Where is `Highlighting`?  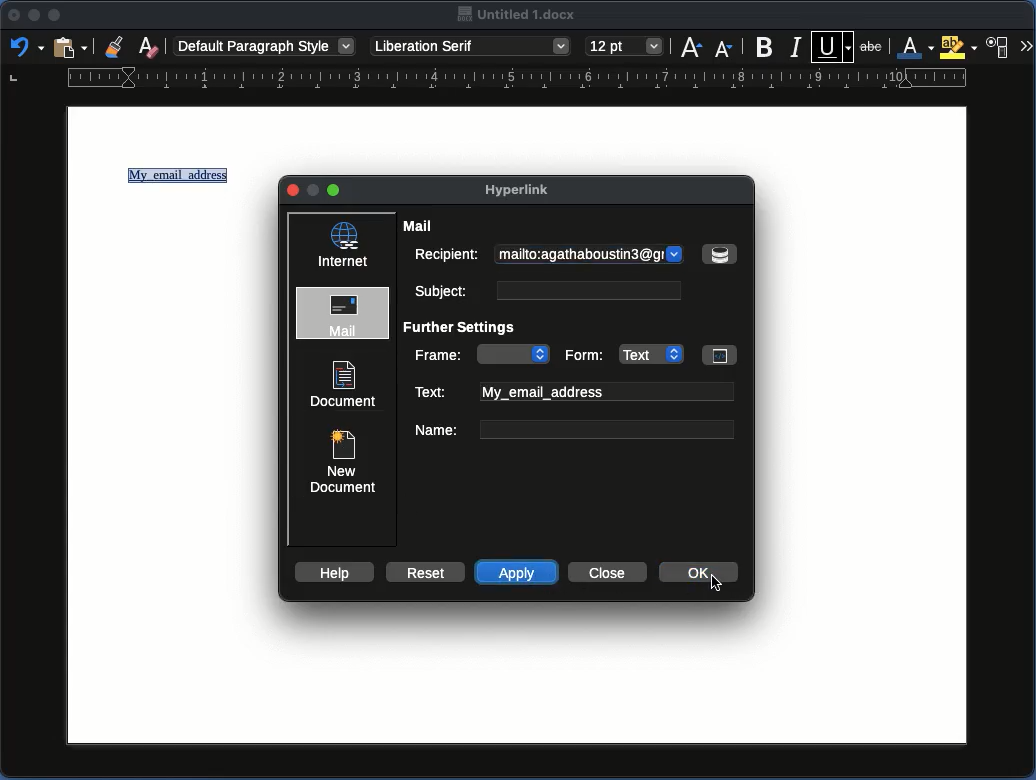 Highlighting is located at coordinates (958, 47).